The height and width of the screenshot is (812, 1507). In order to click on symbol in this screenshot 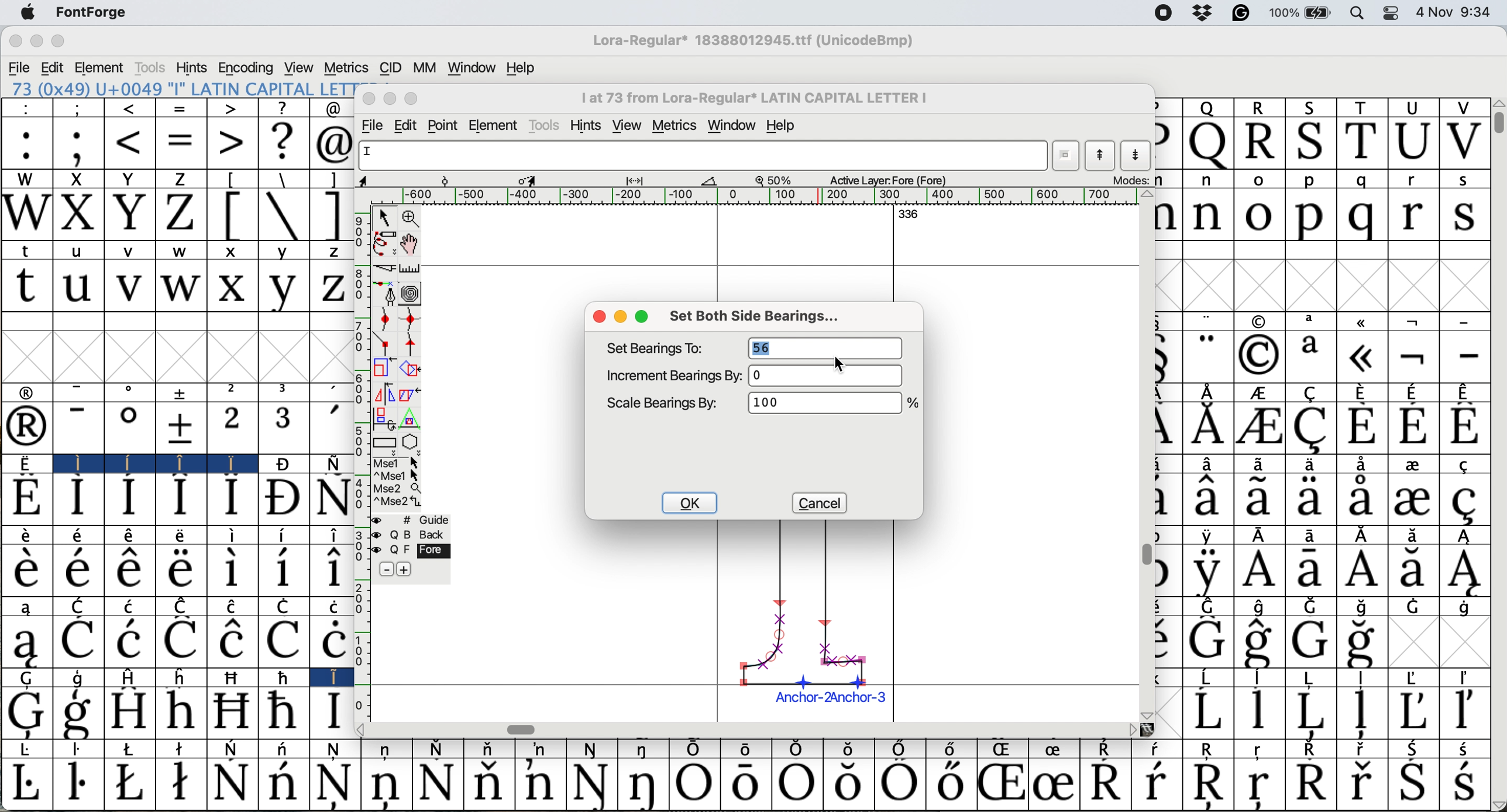, I will do `click(1417, 319)`.